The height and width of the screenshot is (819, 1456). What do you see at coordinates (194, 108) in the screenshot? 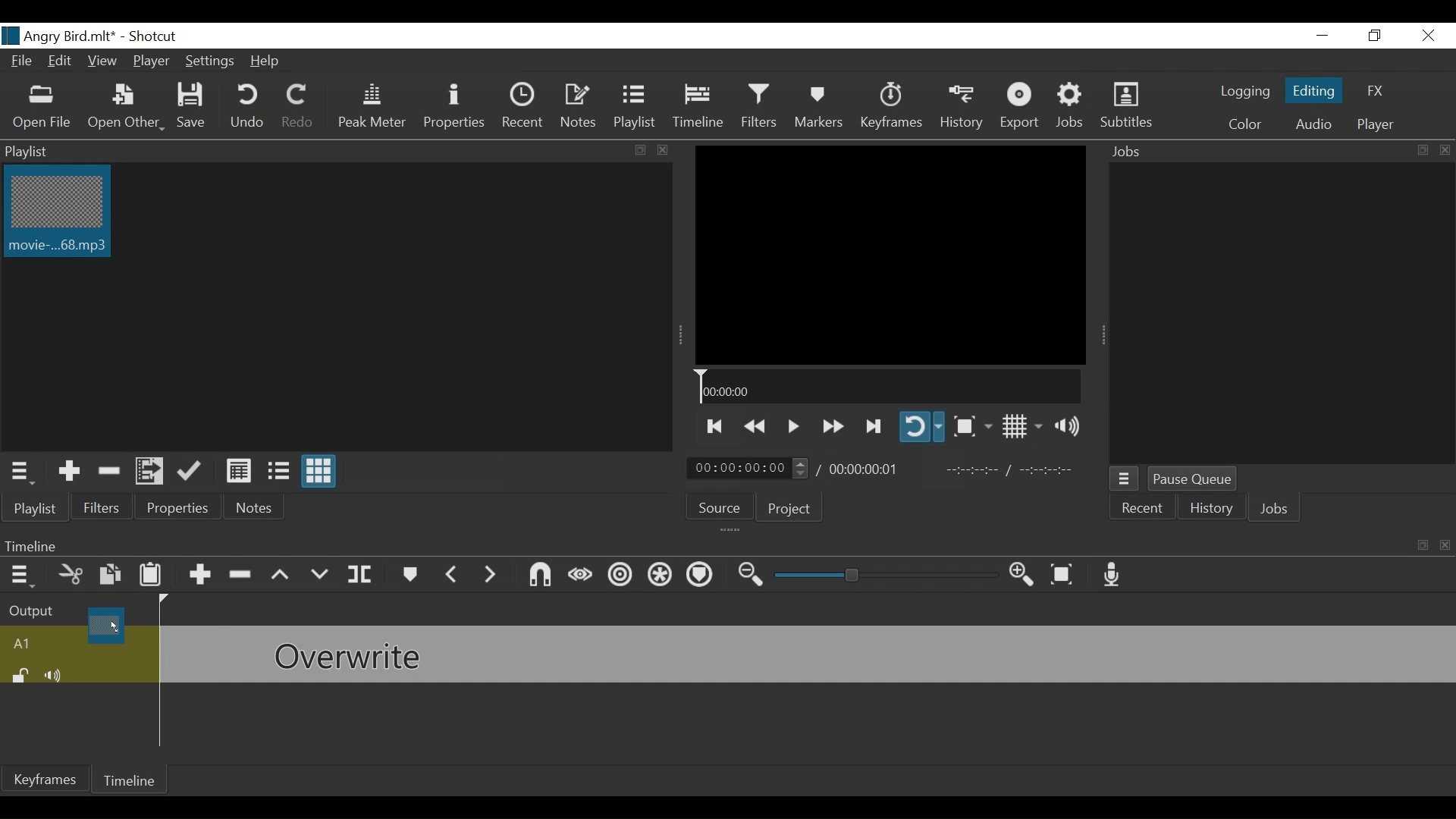
I see `Save` at bounding box center [194, 108].